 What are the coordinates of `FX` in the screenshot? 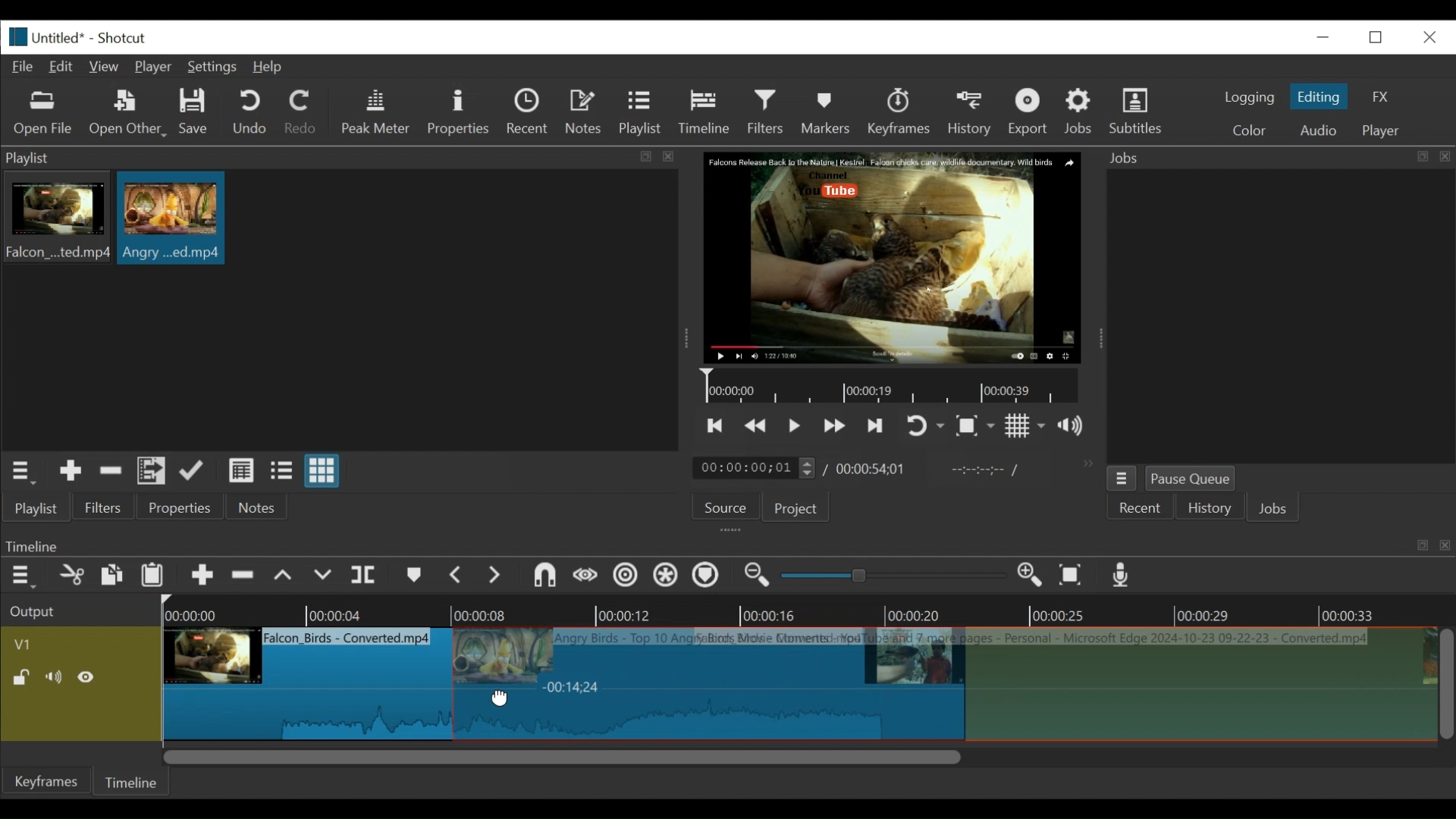 It's located at (1381, 97).